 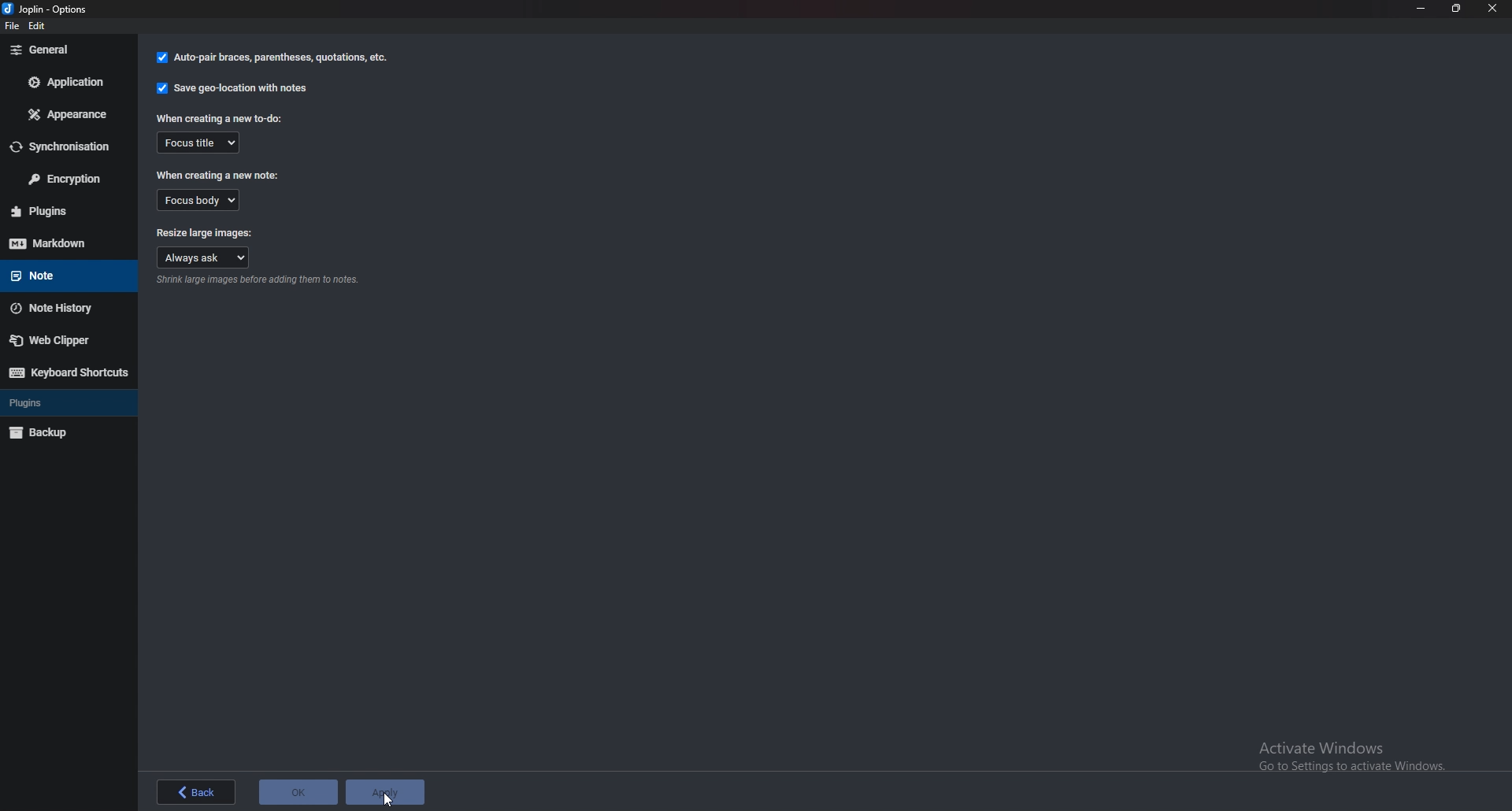 What do you see at coordinates (1354, 758) in the screenshot?
I see `Activate windows pop up` at bounding box center [1354, 758].